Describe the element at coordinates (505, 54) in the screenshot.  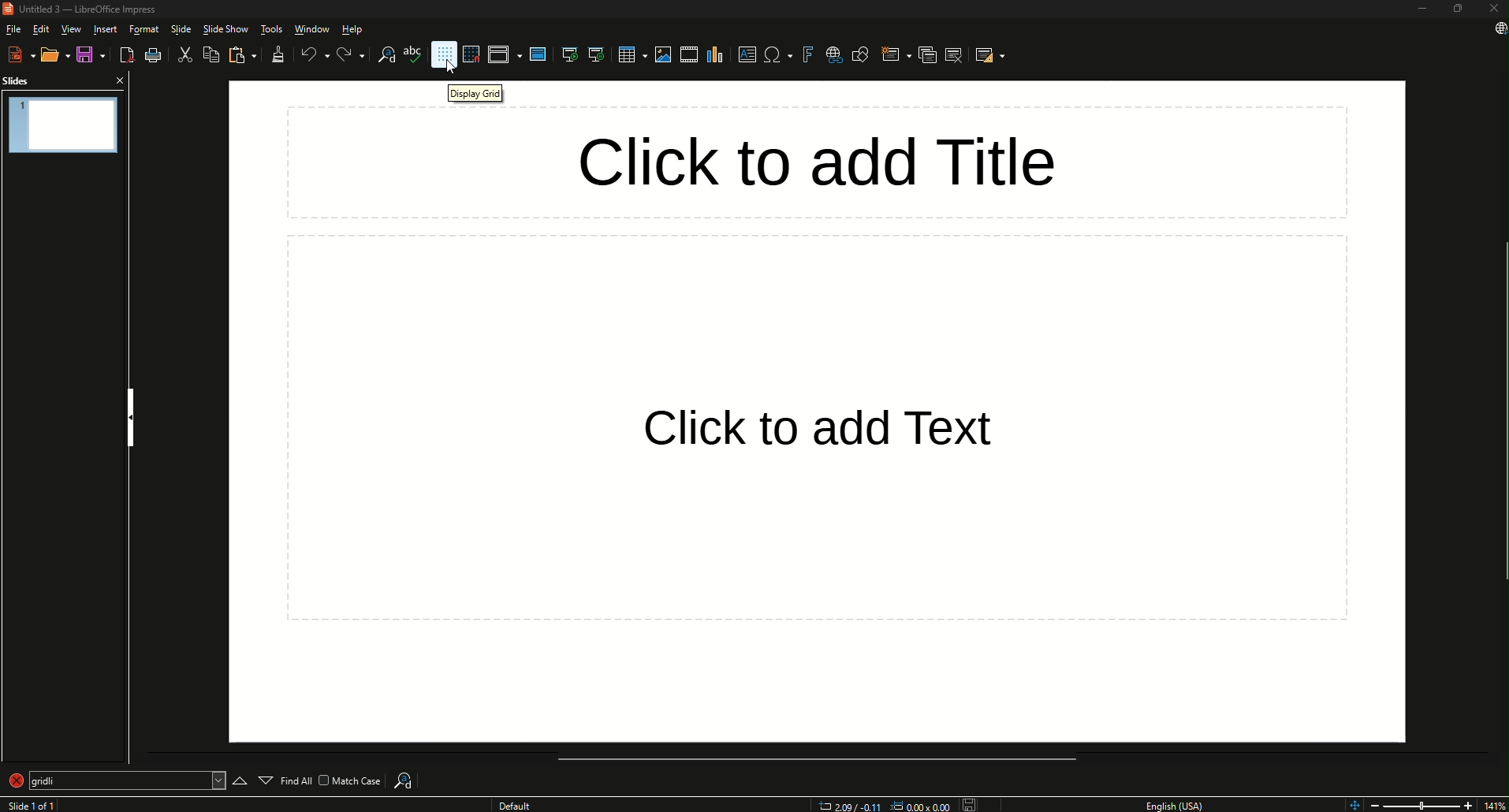
I see `Display views` at that location.